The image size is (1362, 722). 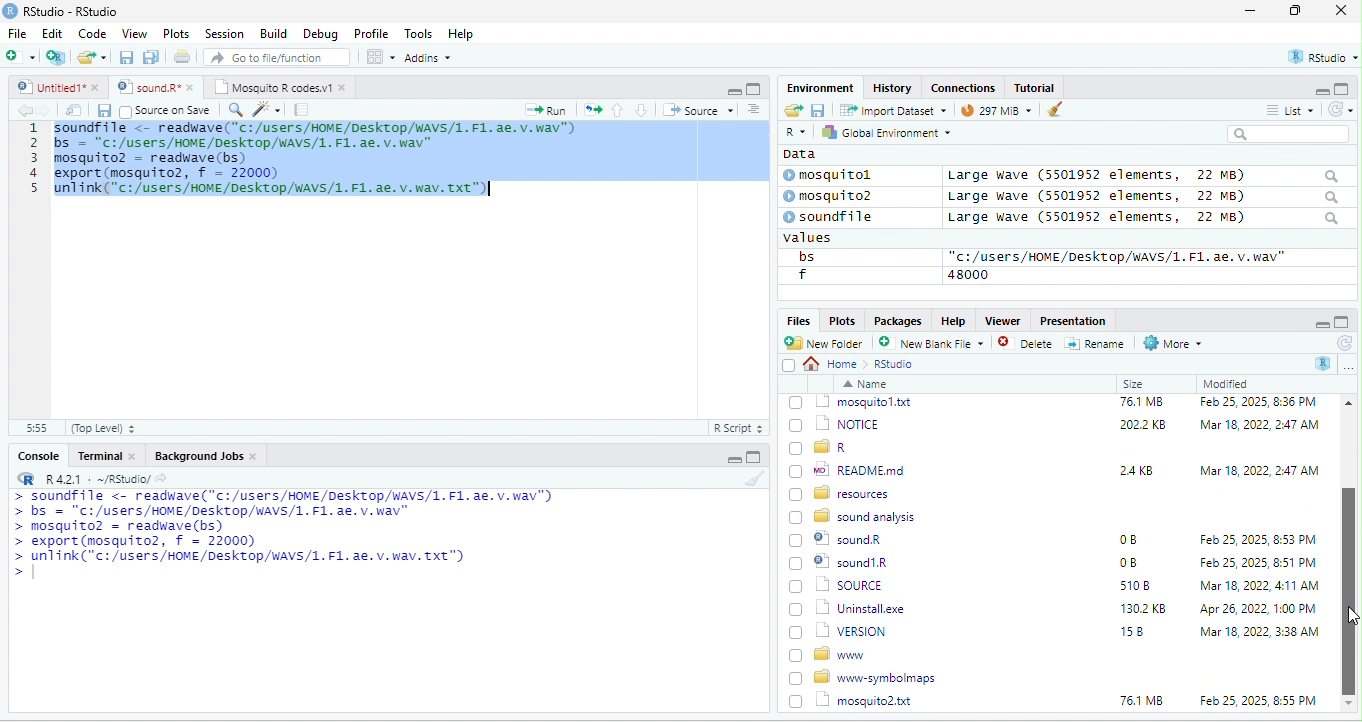 I want to click on Rstudio, so click(x=895, y=364).